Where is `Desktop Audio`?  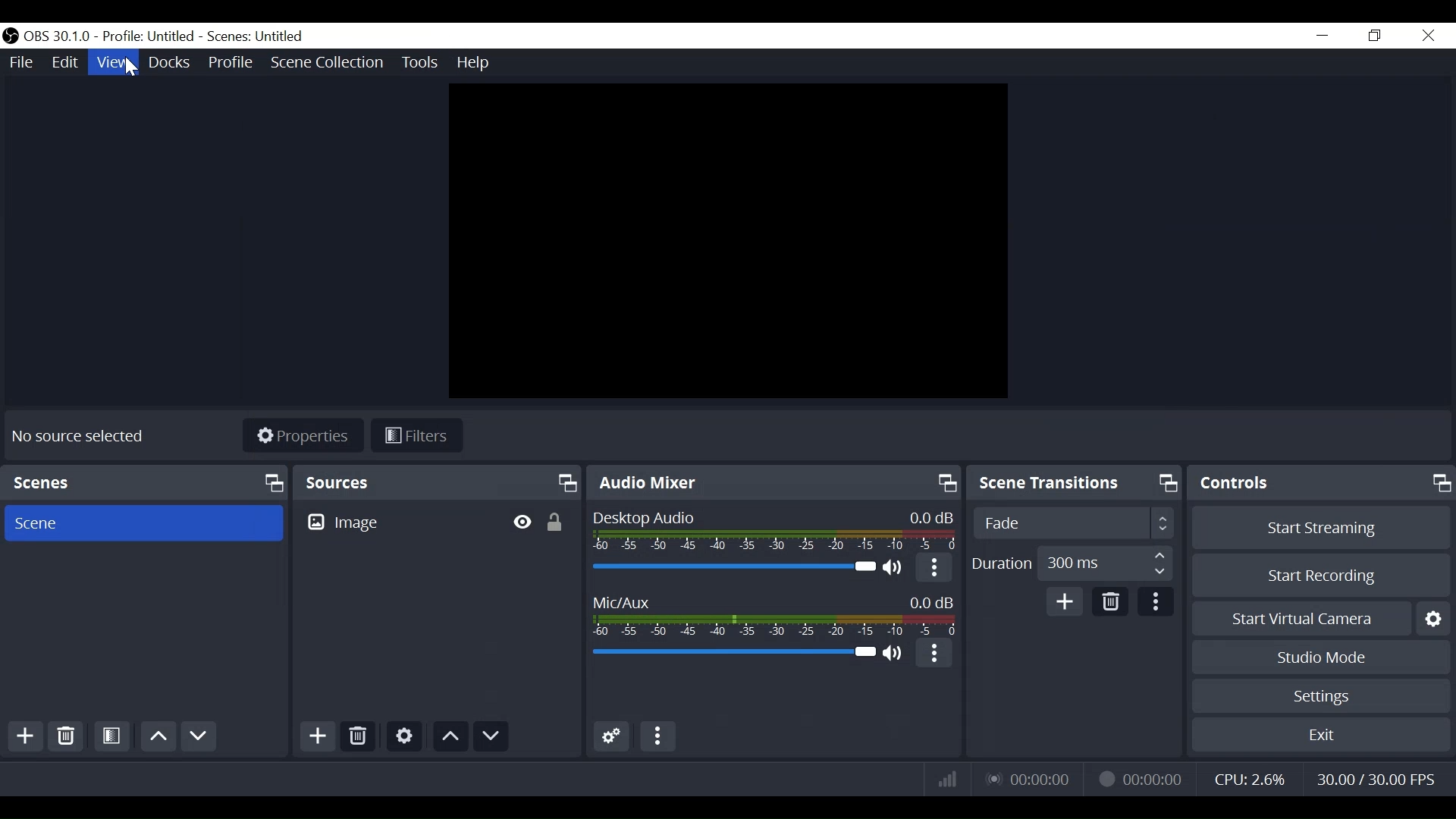
Desktop Audio is located at coordinates (732, 568).